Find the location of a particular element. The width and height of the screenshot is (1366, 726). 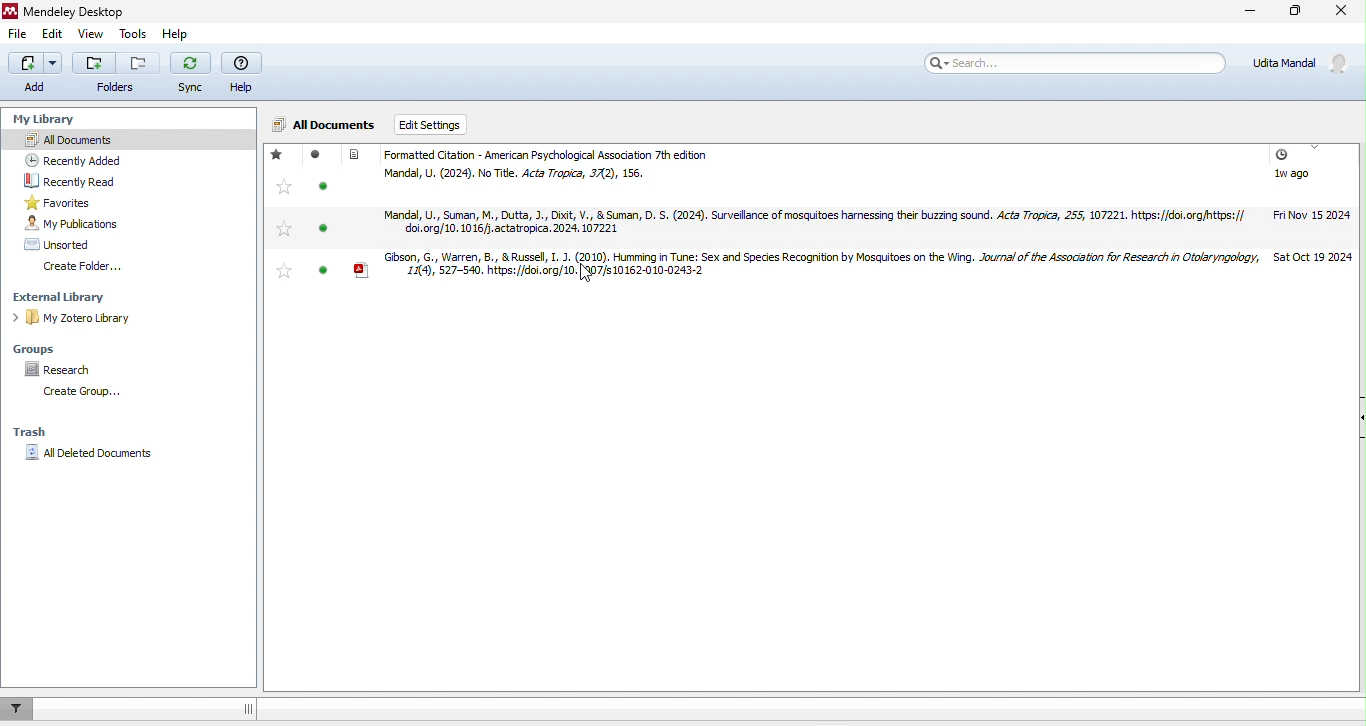

Mandal, U., Suman, M., Dutta, J., Dixit, V., & Suman, D. S. (2024). Surveillance of mosquitoes harnessing their buzzing sound. Acta Tropica, 255, 107221. https:/fdoi.org/https://
‘doi org/10. 10163. actatropica. 2024. 107221 is located at coordinates (808, 222).